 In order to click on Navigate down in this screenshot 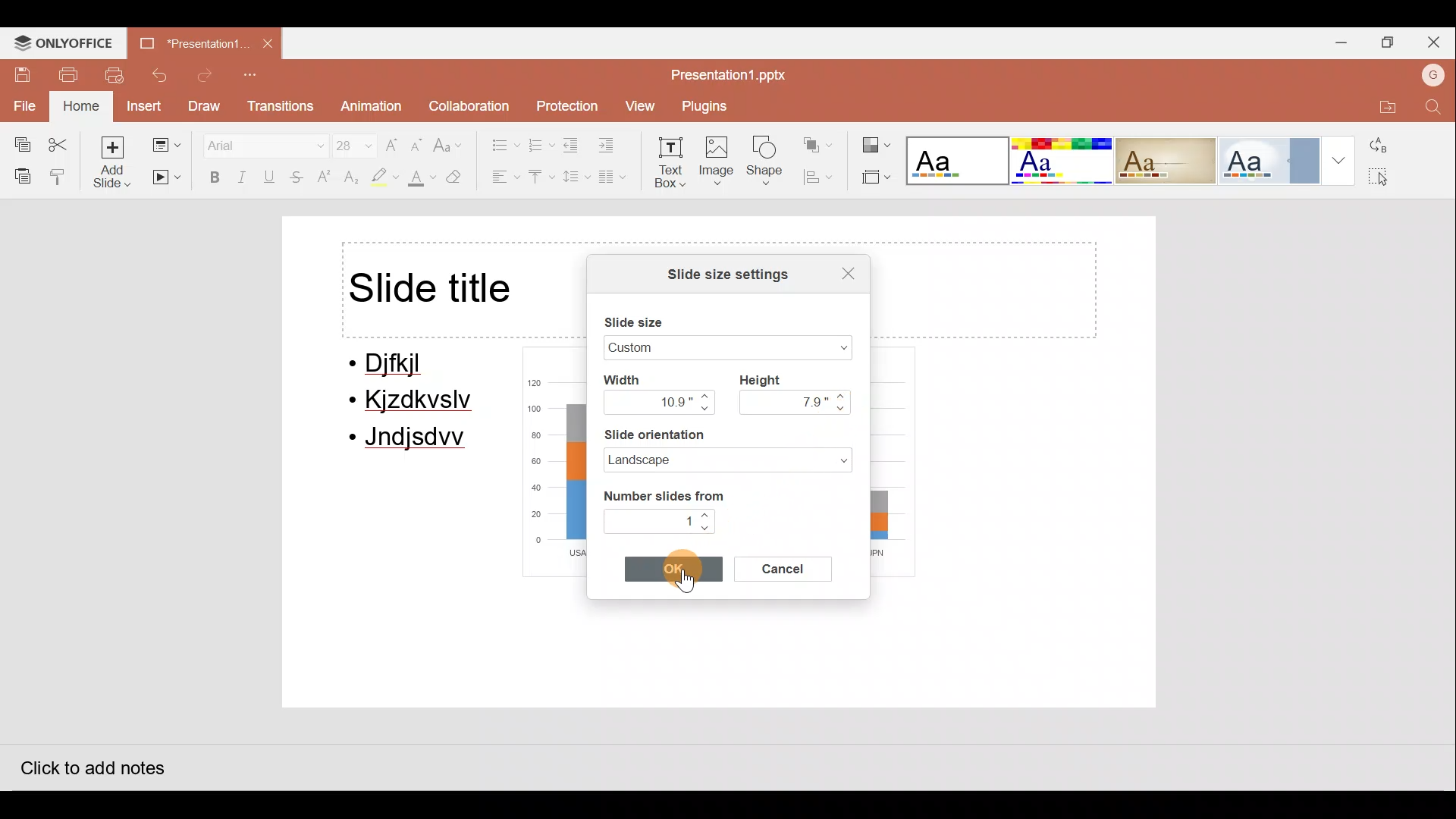, I will do `click(844, 409)`.